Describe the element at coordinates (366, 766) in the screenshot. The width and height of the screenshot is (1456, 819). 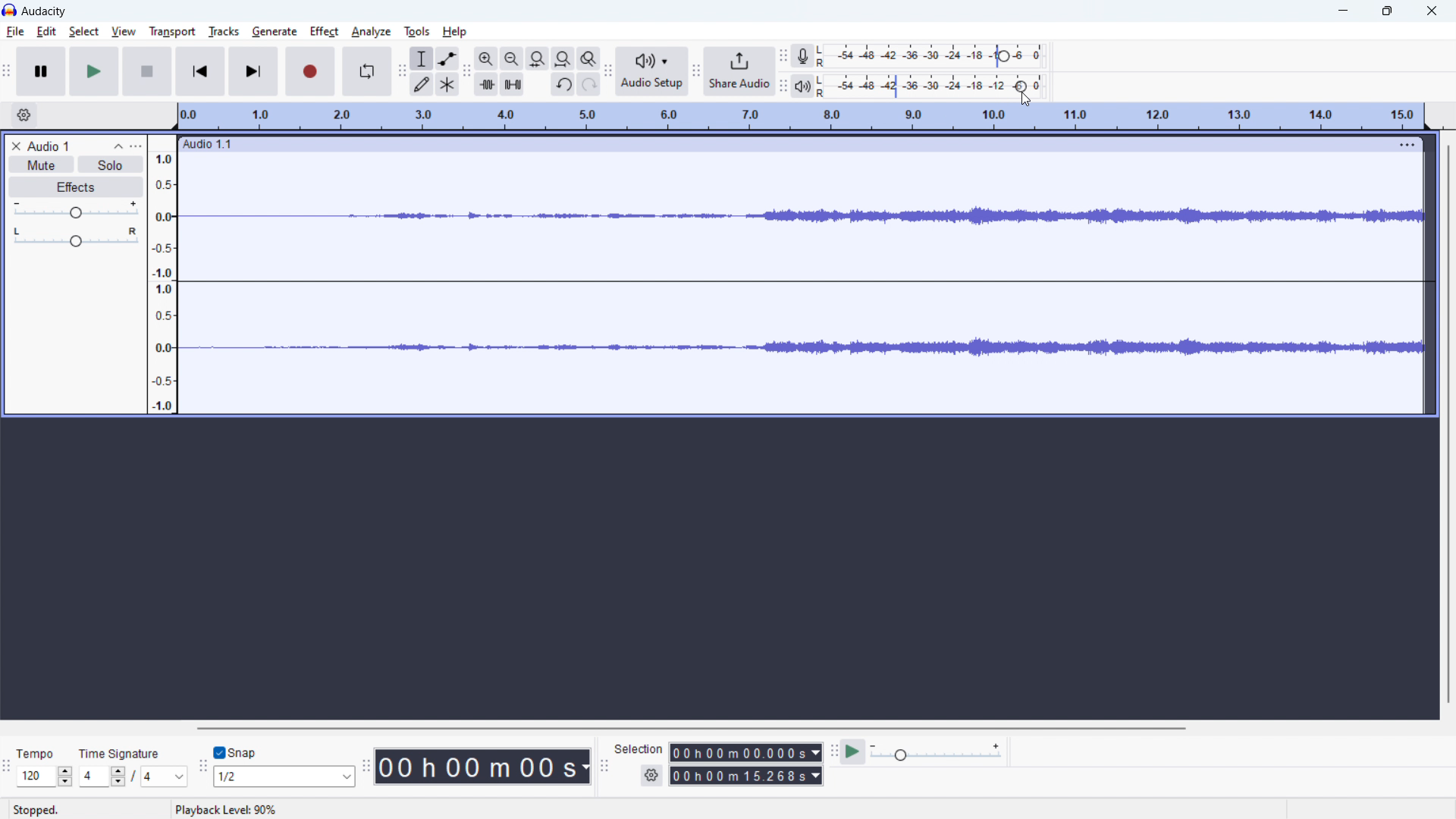
I see `time toolbar` at that location.